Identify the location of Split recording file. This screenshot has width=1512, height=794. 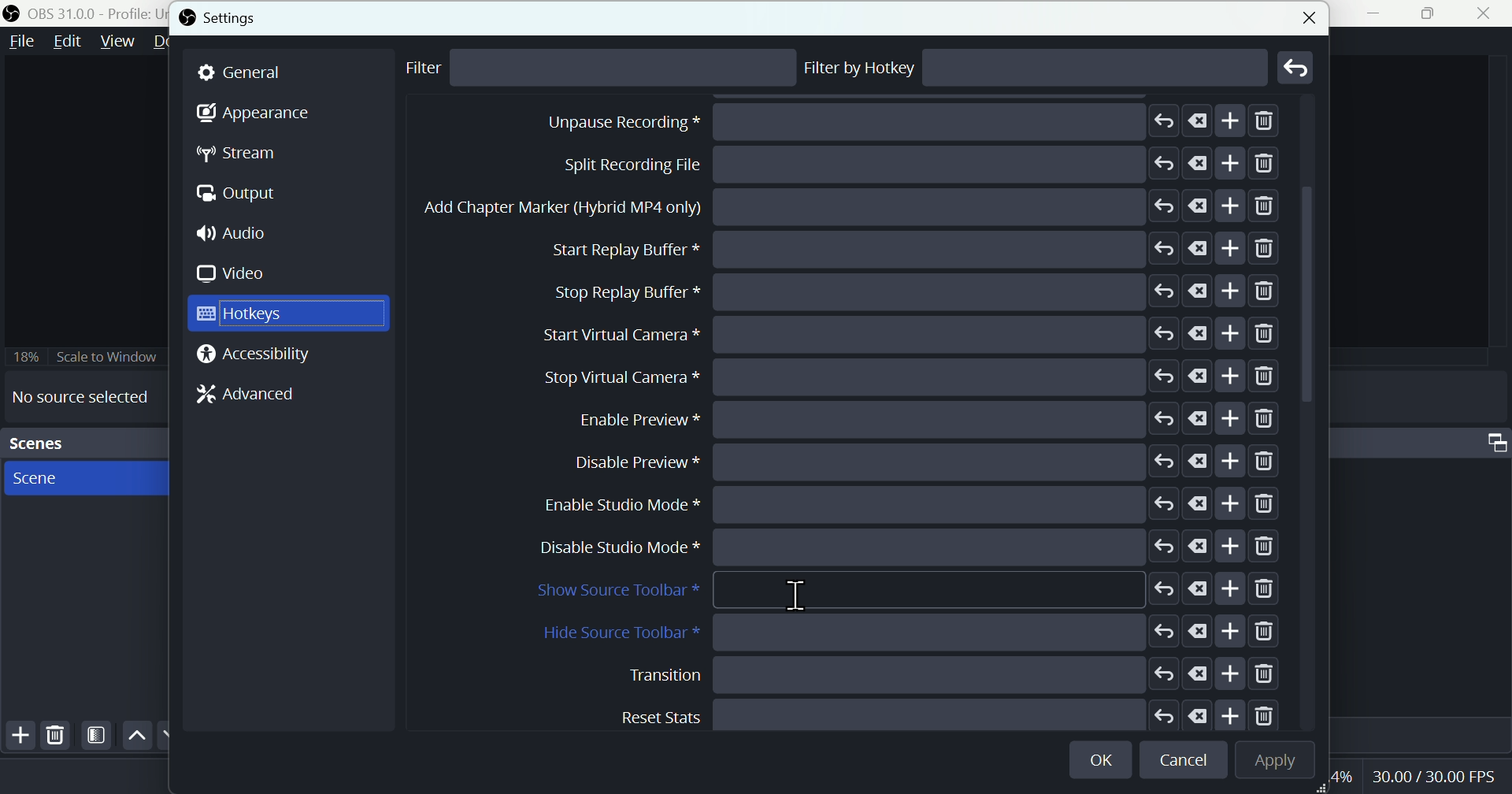
(913, 332).